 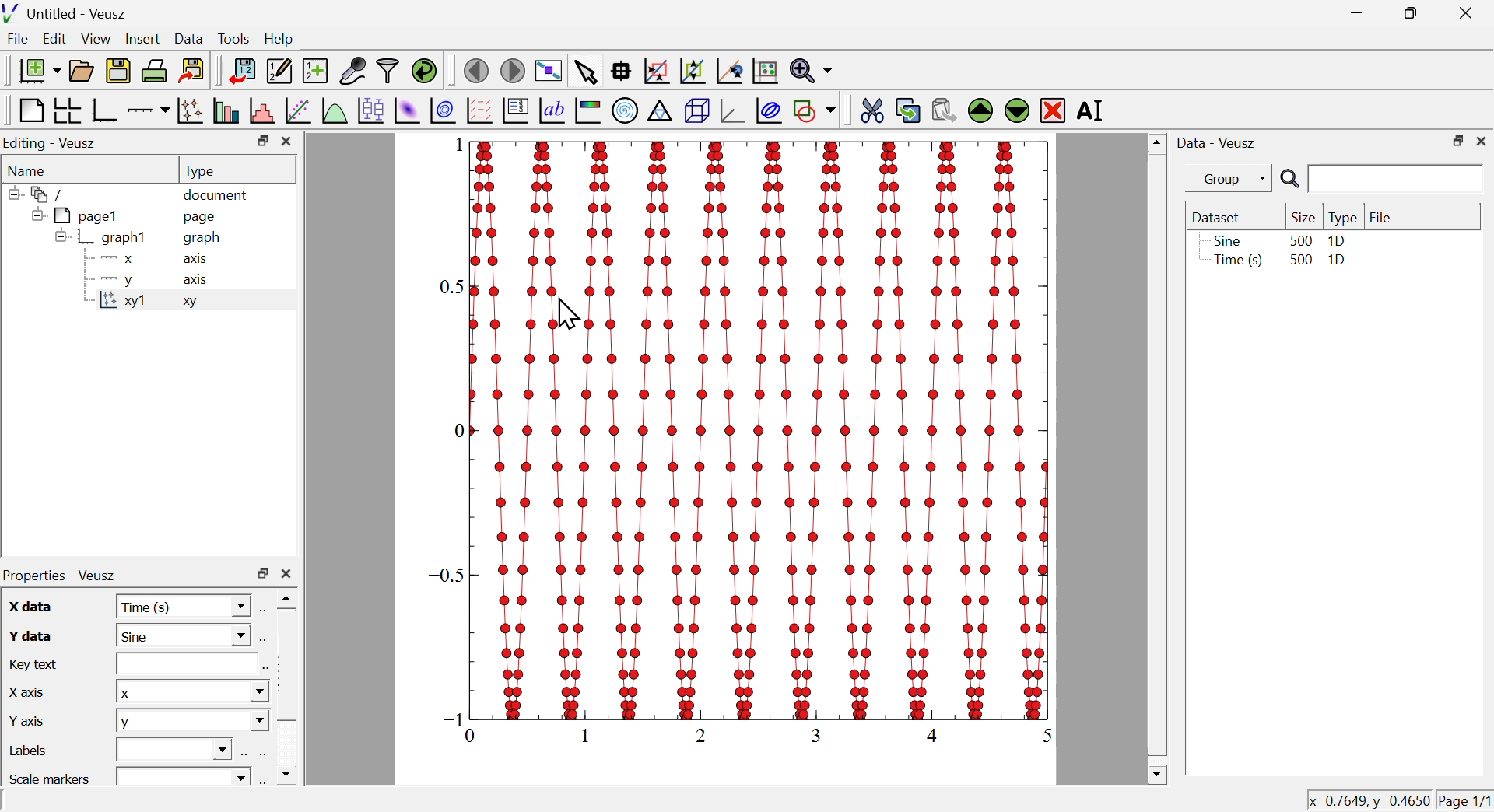 I want to click on axis, so click(x=198, y=280).